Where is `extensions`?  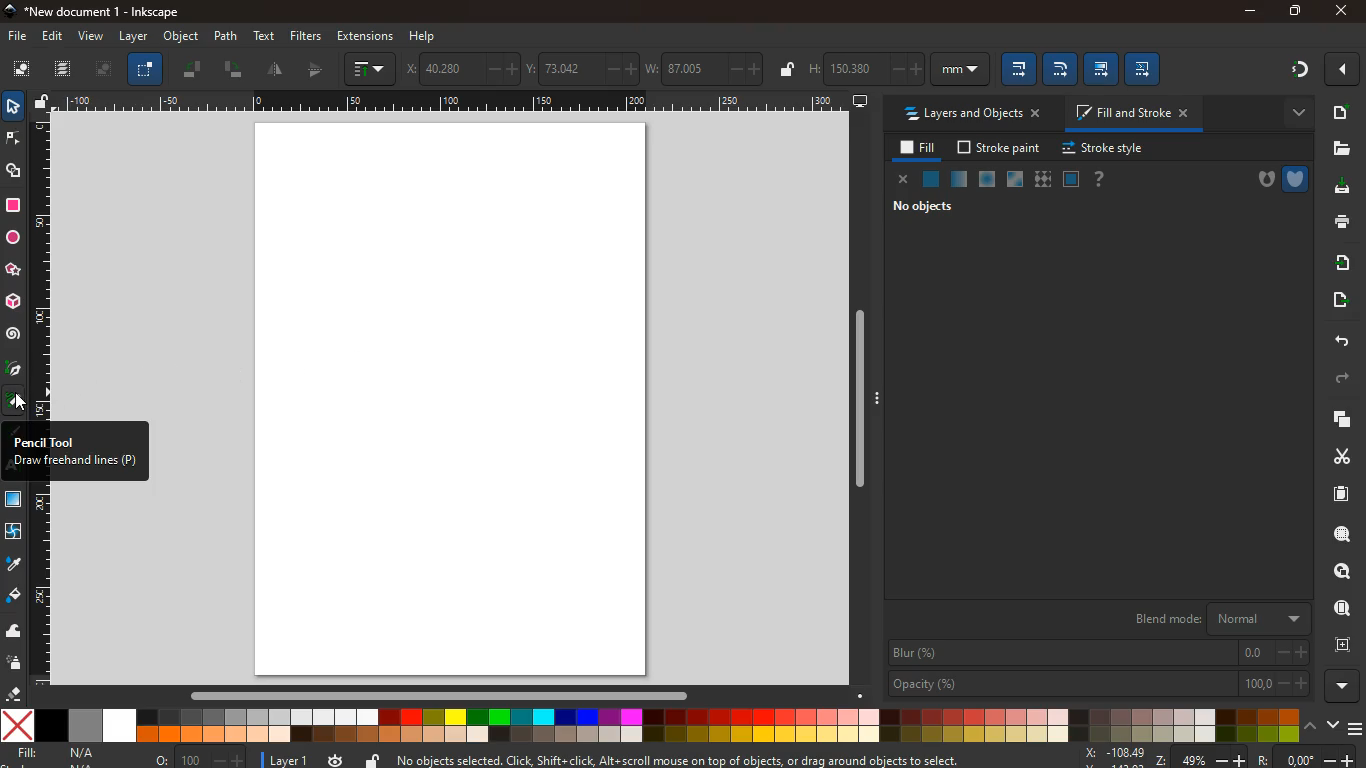
extensions is located at coordinates (365, 35).